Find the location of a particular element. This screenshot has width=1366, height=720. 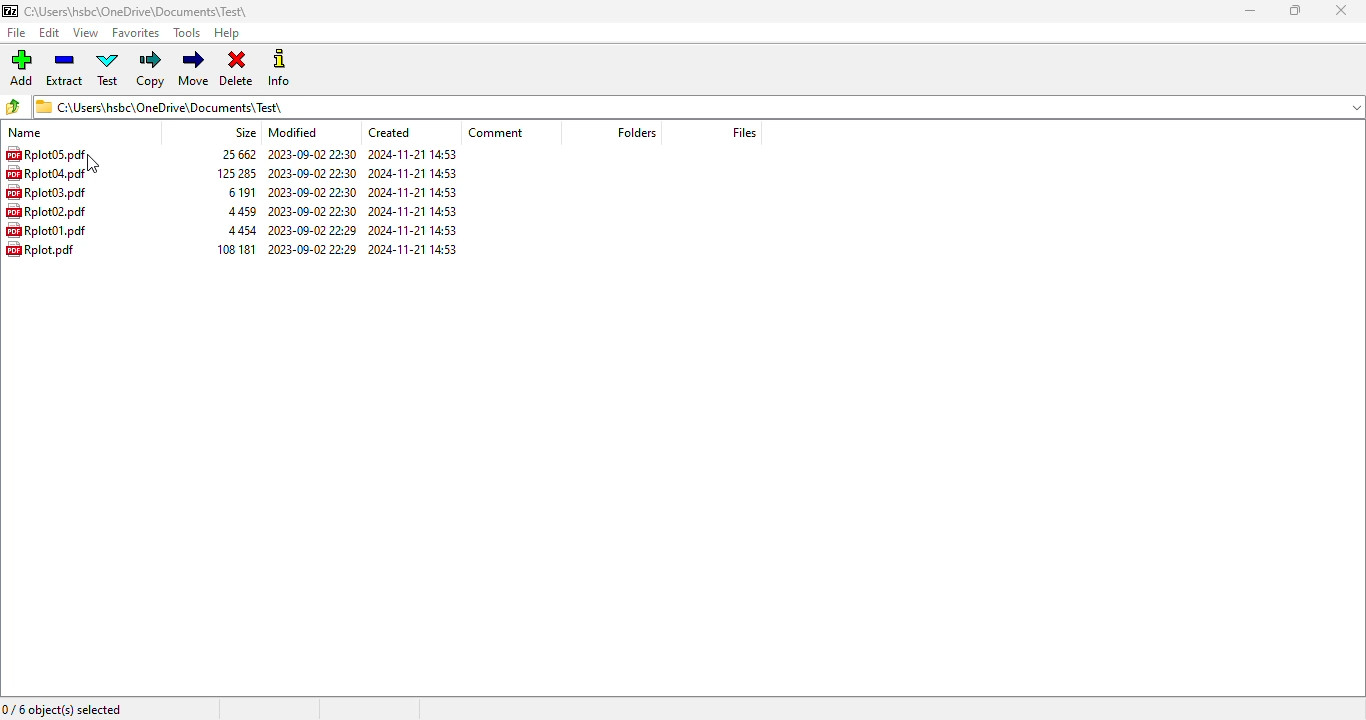

cursor is located at coordinates (92, 164).